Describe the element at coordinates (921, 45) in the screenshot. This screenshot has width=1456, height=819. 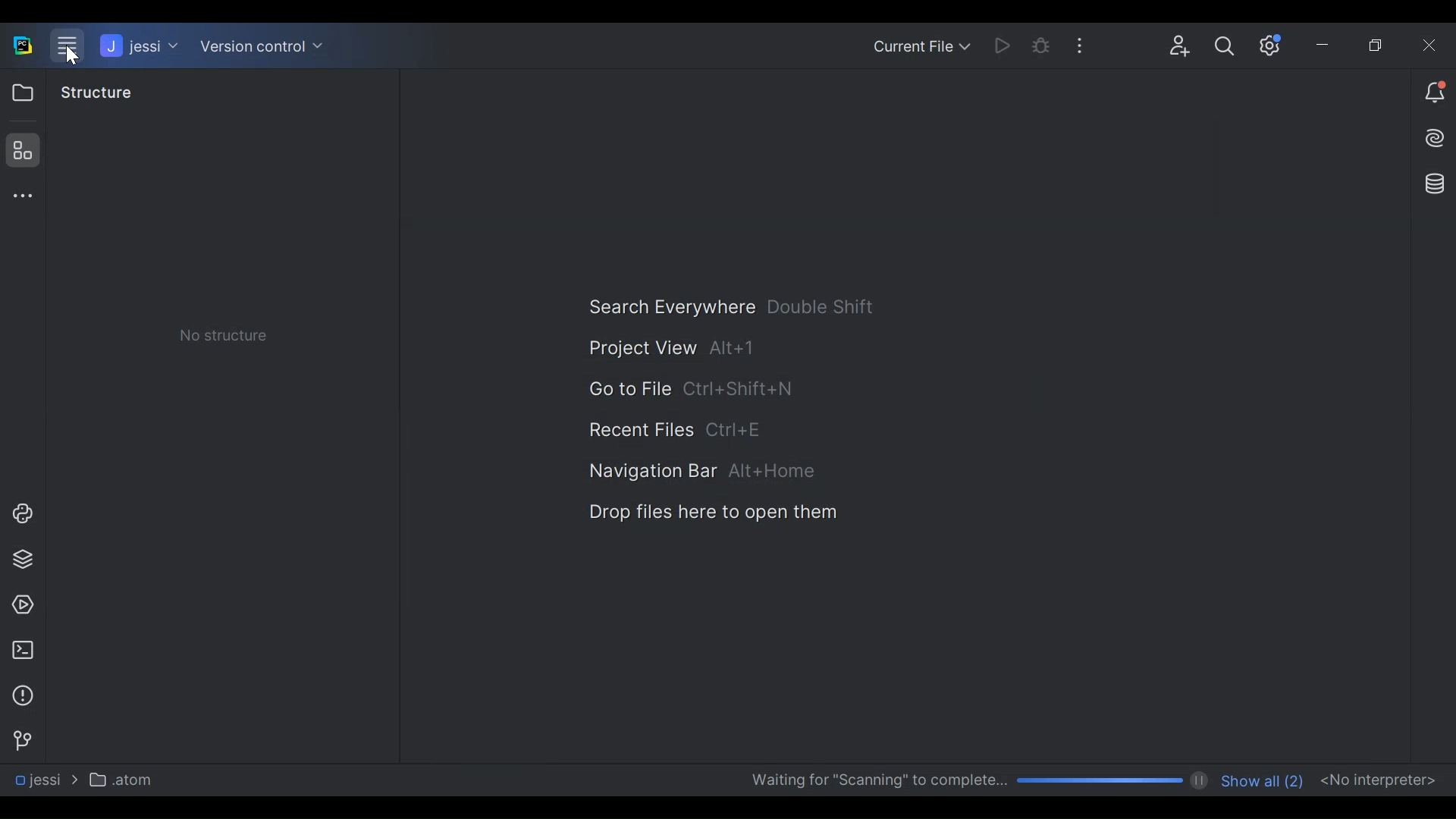
I see `Current File` at that location.